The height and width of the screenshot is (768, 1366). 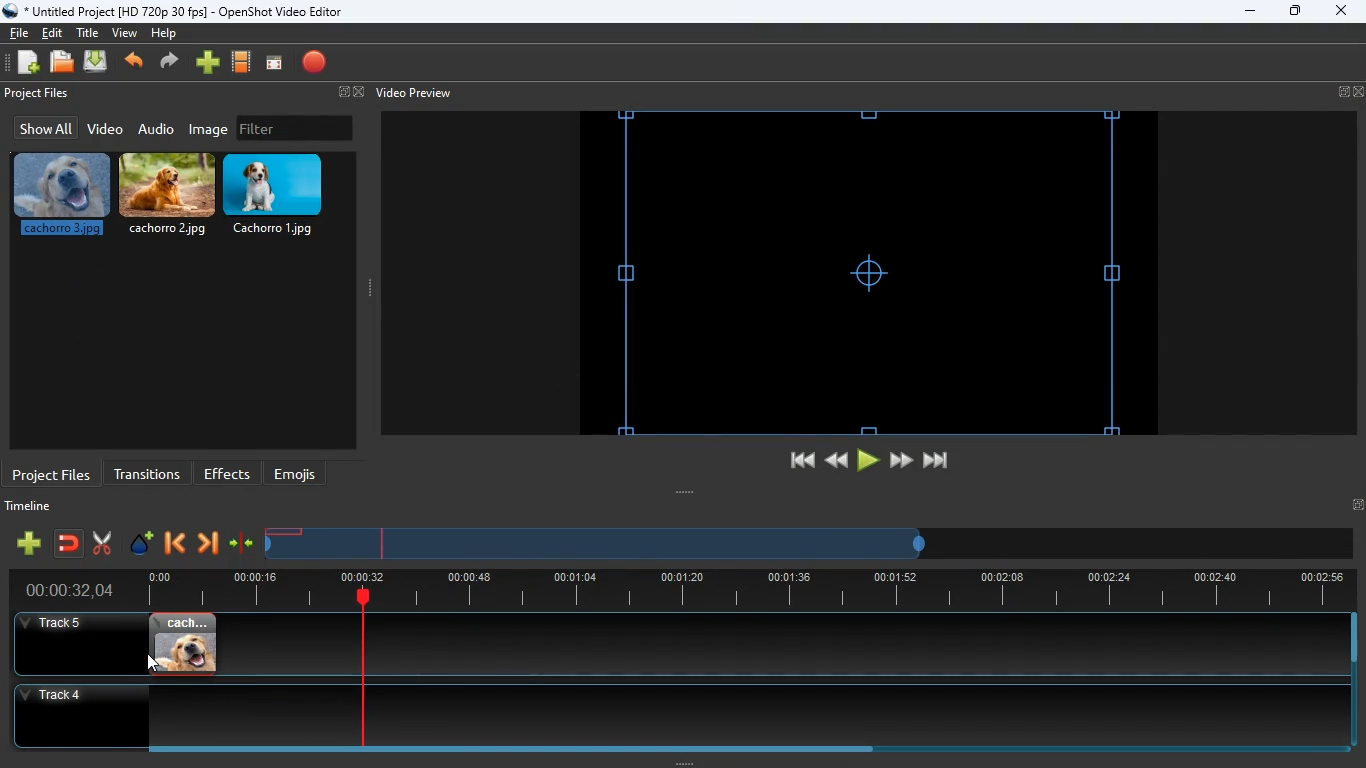 What do you see at coordinates (1357, 504) in the screenshot?
I see `Fullscreen` at bounding box center [1357, 504].